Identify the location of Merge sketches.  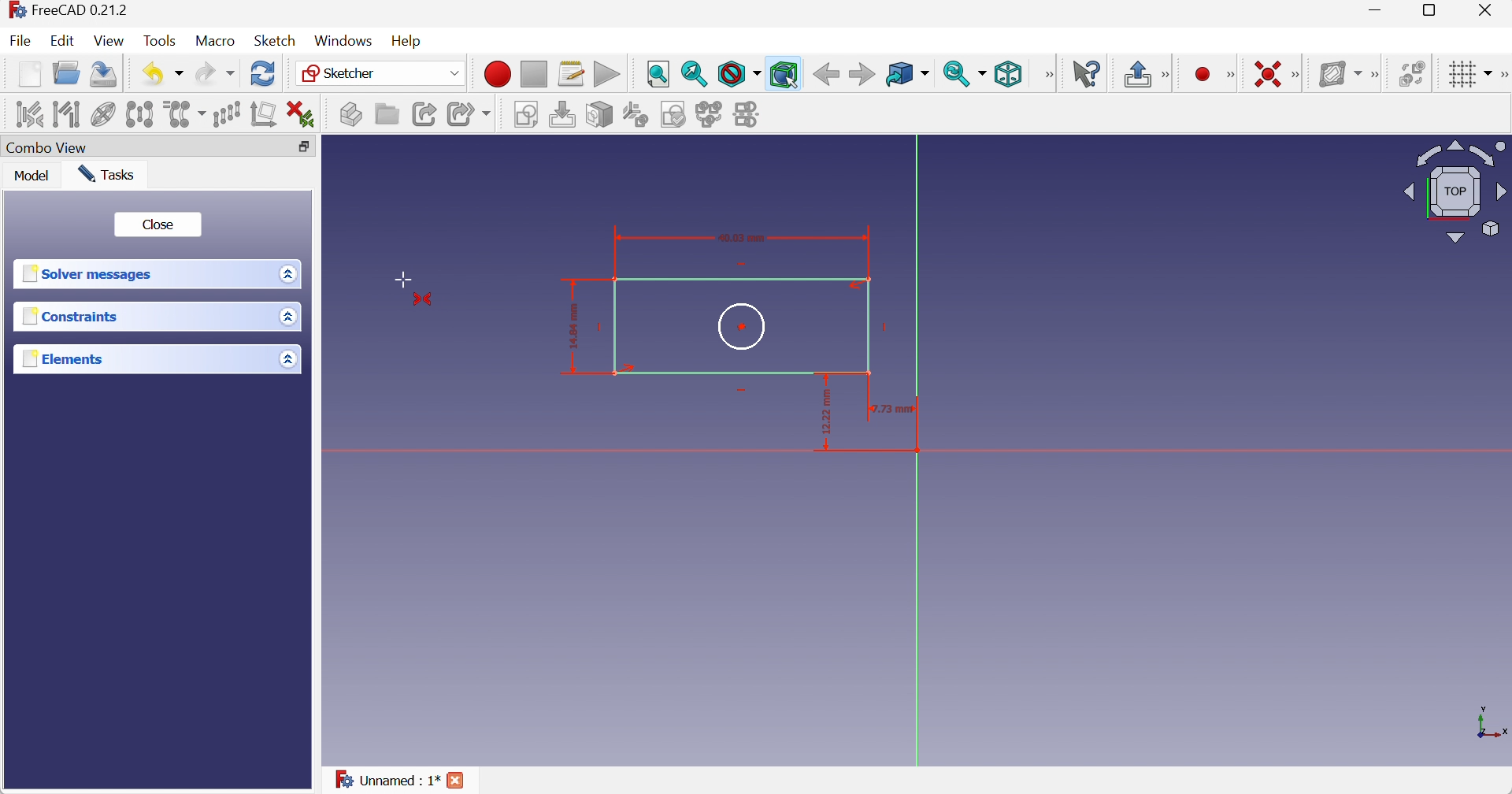
(711, 114).